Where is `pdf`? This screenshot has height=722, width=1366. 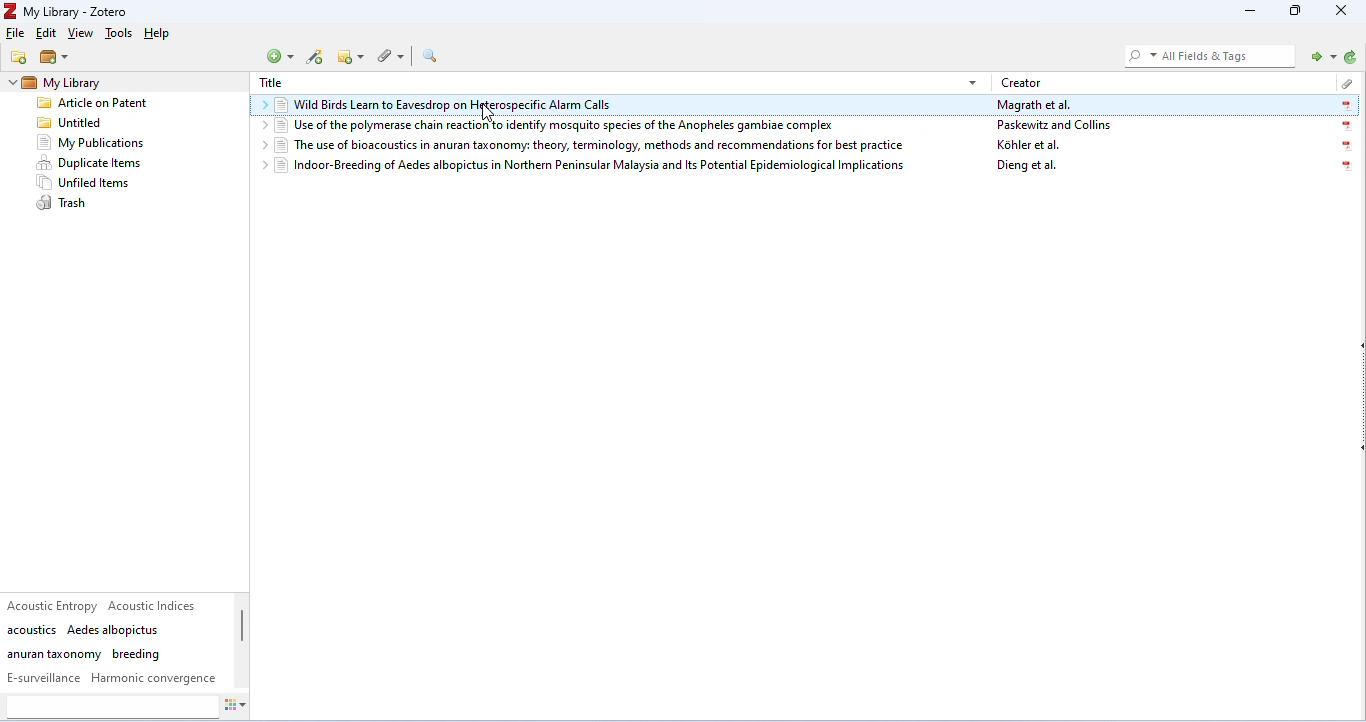 pdf is located at coordinates (1345, 106).